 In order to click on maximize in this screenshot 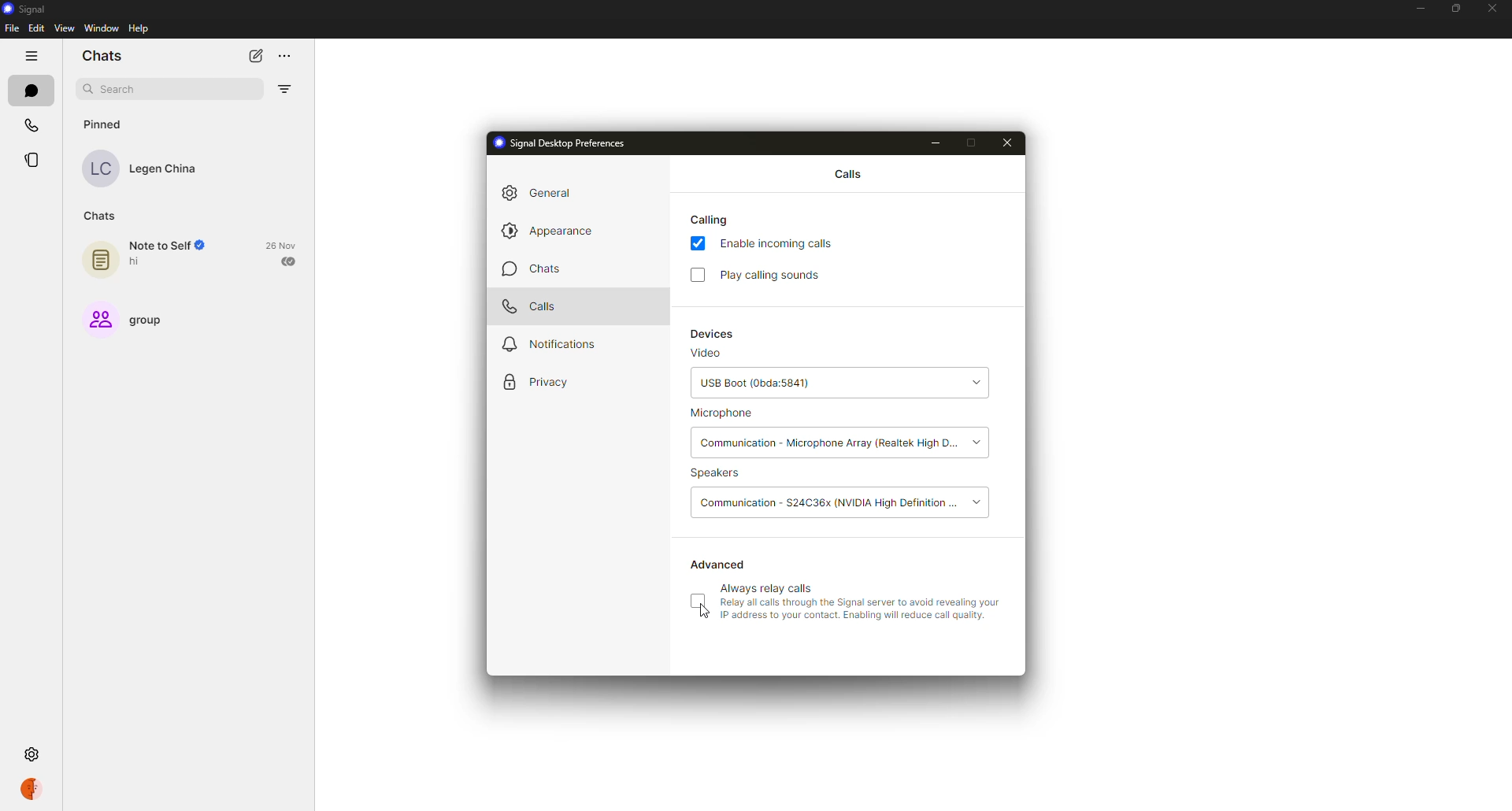, I will do `click(1451, 9)`.